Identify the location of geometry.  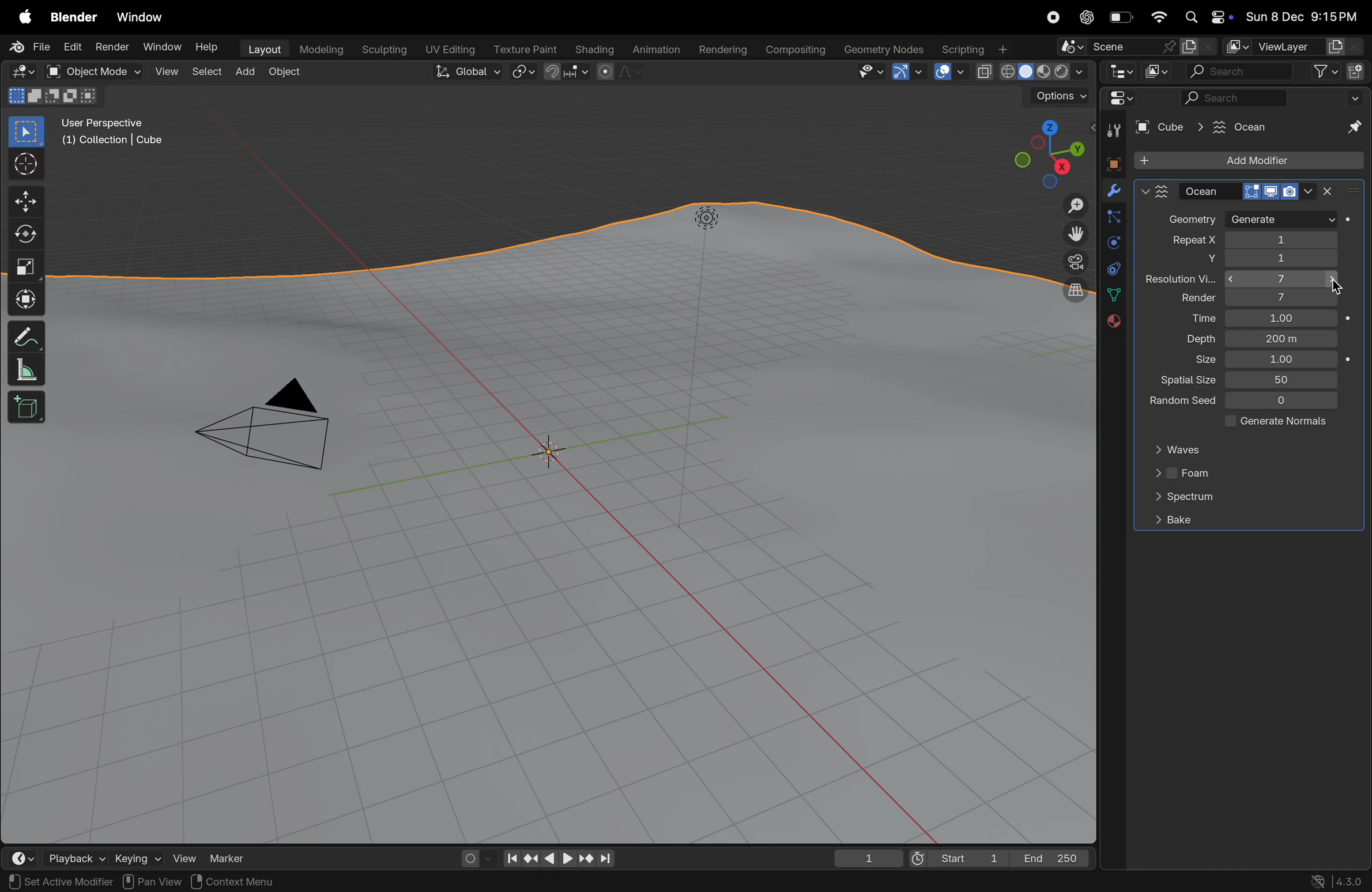
(1192, 221).